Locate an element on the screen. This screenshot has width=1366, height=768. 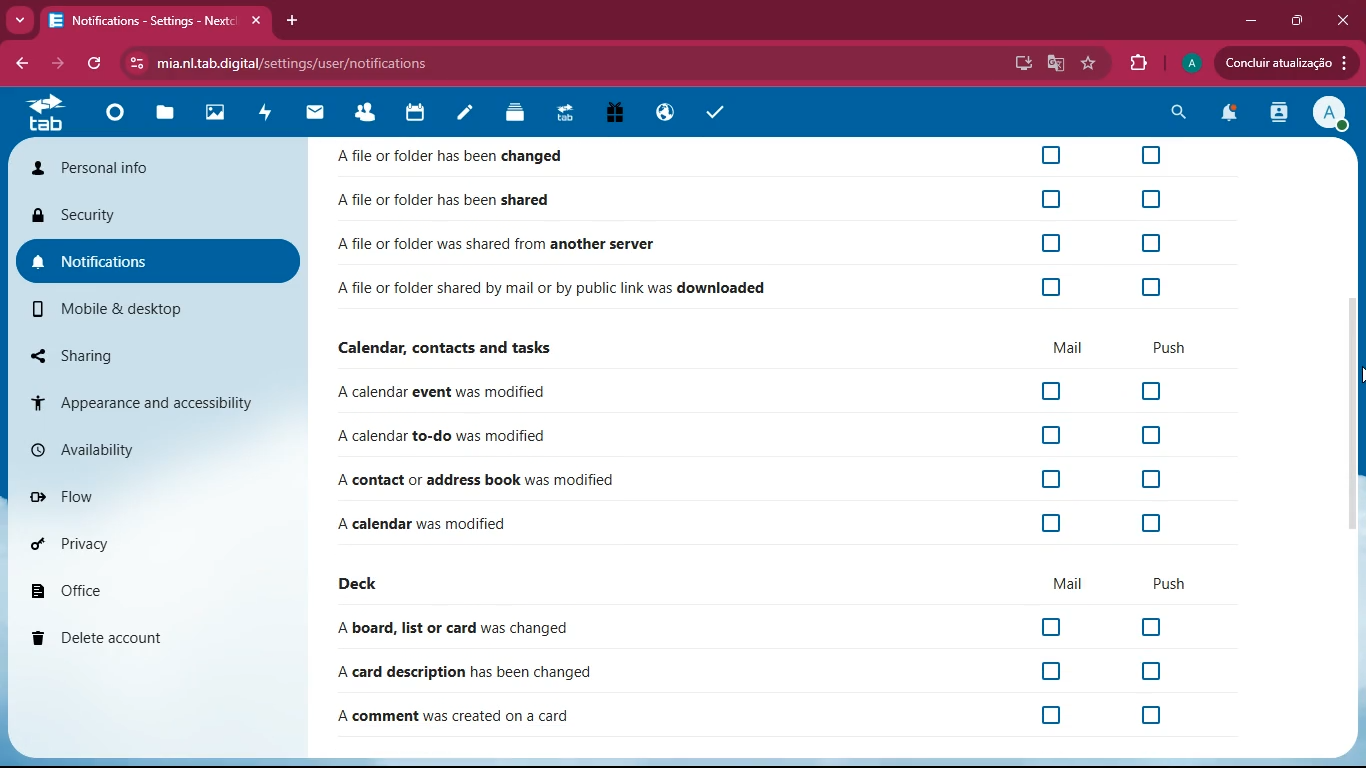
notes is located at coordinates (466, 115).